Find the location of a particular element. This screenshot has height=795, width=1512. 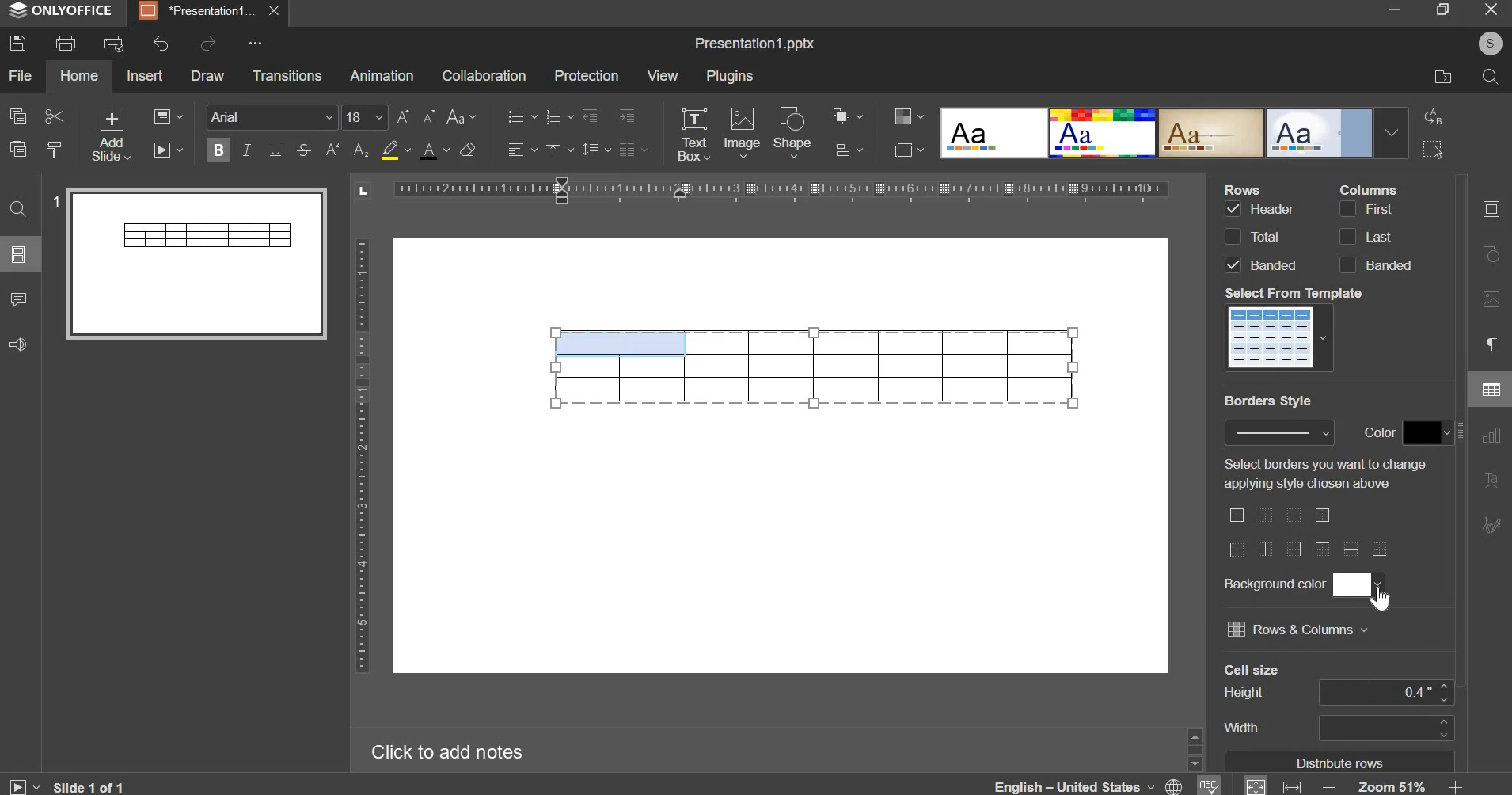

bullets is located at coordinates (521, 116).